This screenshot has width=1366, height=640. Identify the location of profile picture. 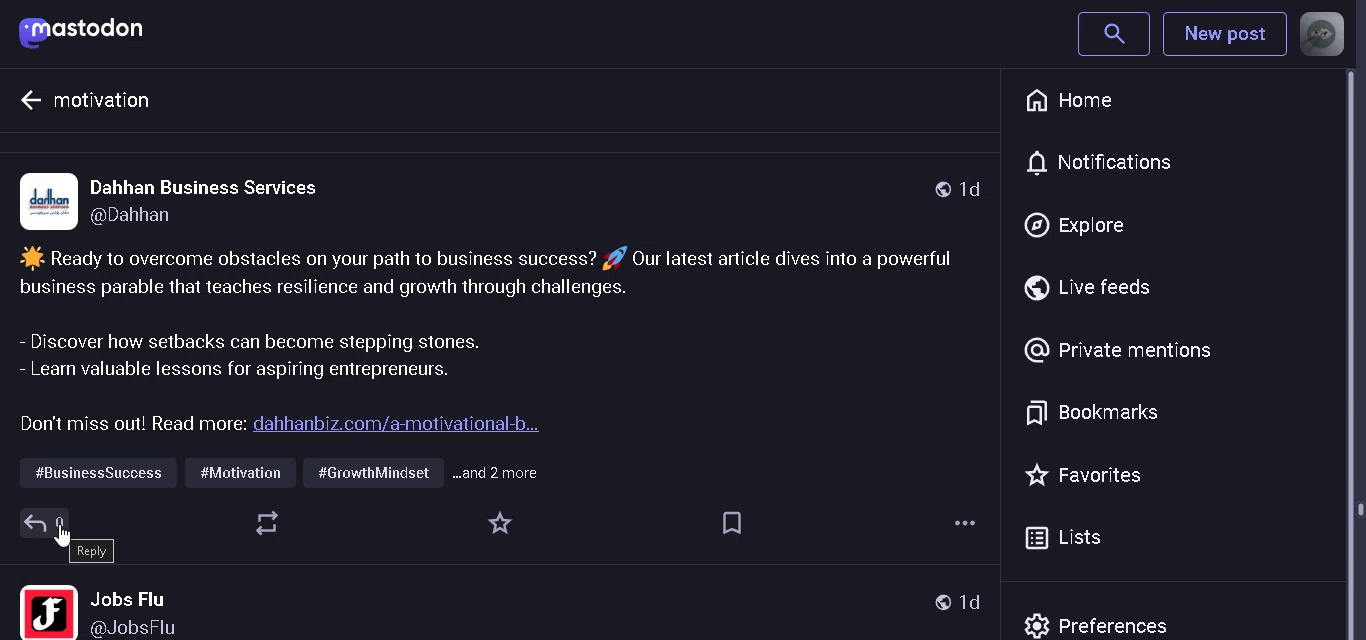
(47, 202).